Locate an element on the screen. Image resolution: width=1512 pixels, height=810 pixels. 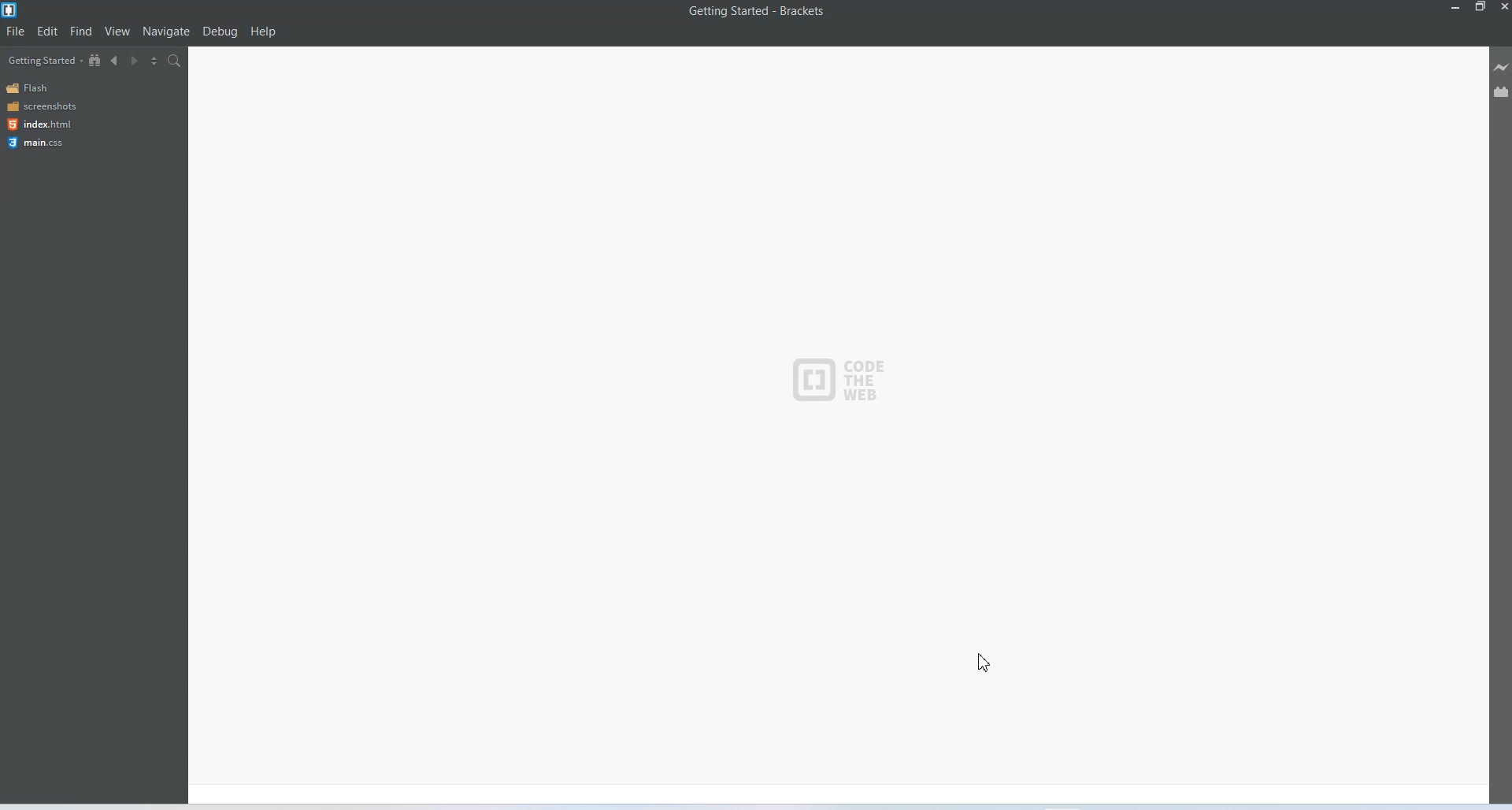
View is located at coordinates (117, 32).